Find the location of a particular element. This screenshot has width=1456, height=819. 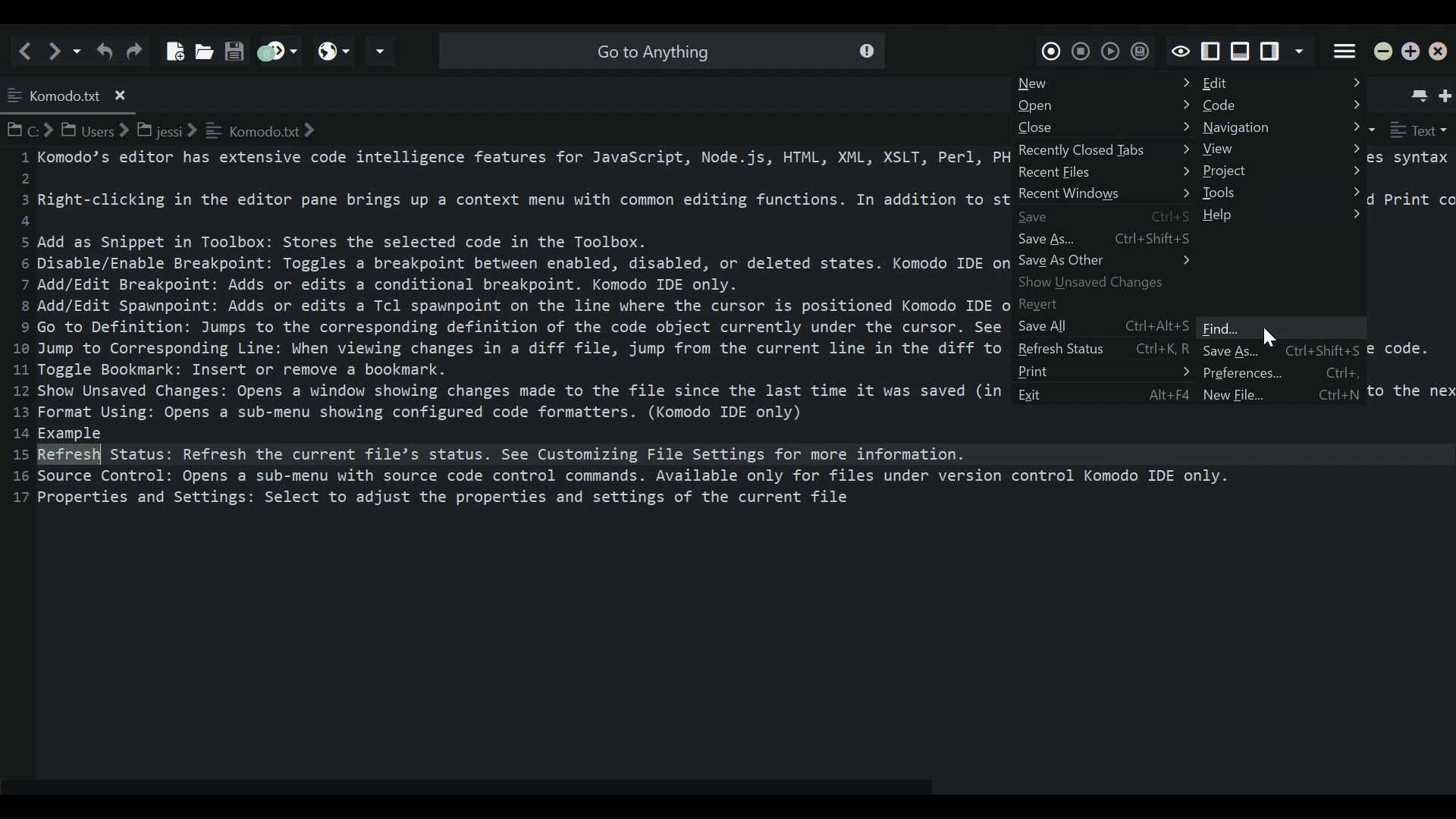

Navigation is located at coordinates (1282, 127).